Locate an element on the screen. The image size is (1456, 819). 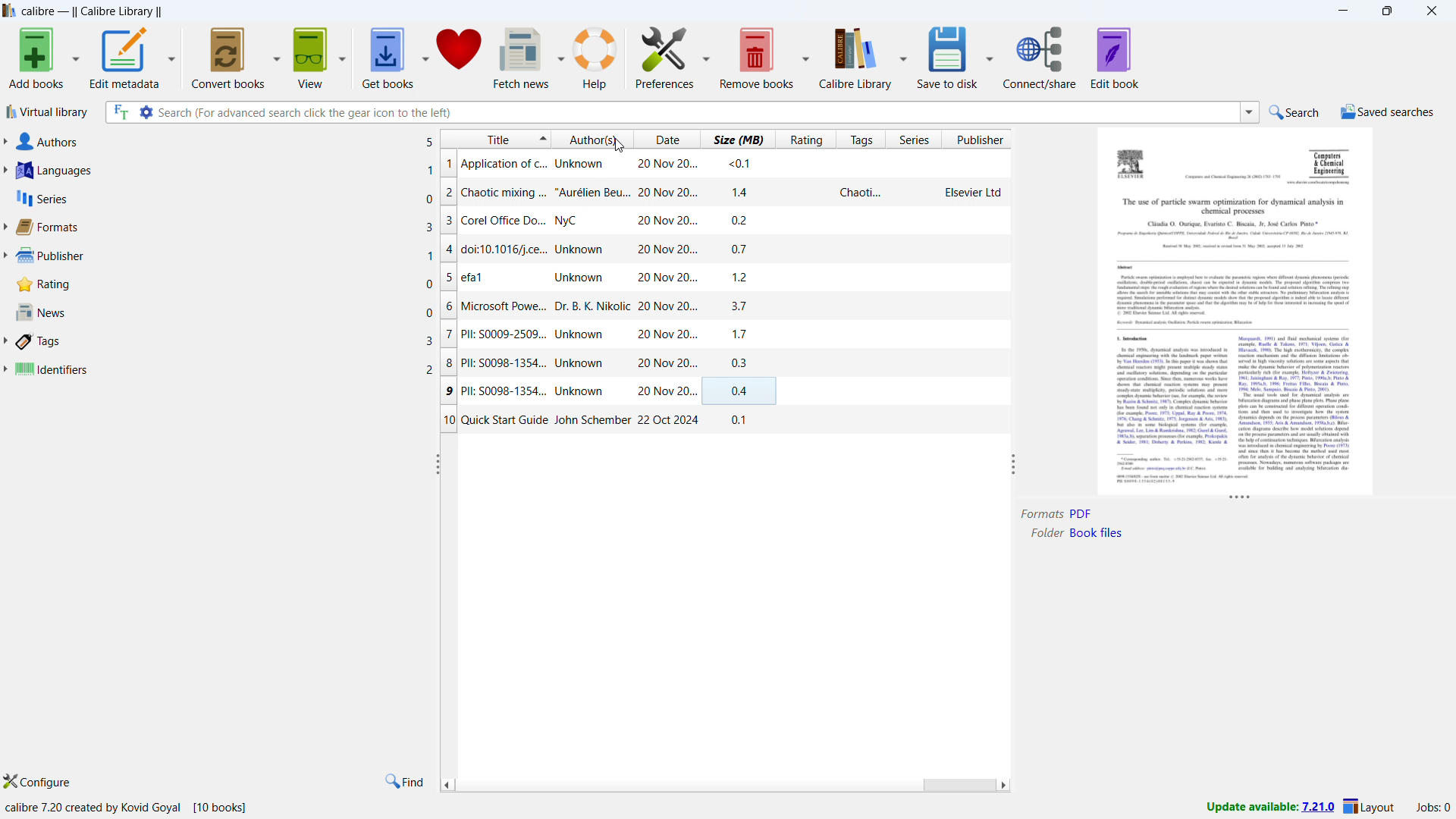
resize is located at coordinates (1013, 463).